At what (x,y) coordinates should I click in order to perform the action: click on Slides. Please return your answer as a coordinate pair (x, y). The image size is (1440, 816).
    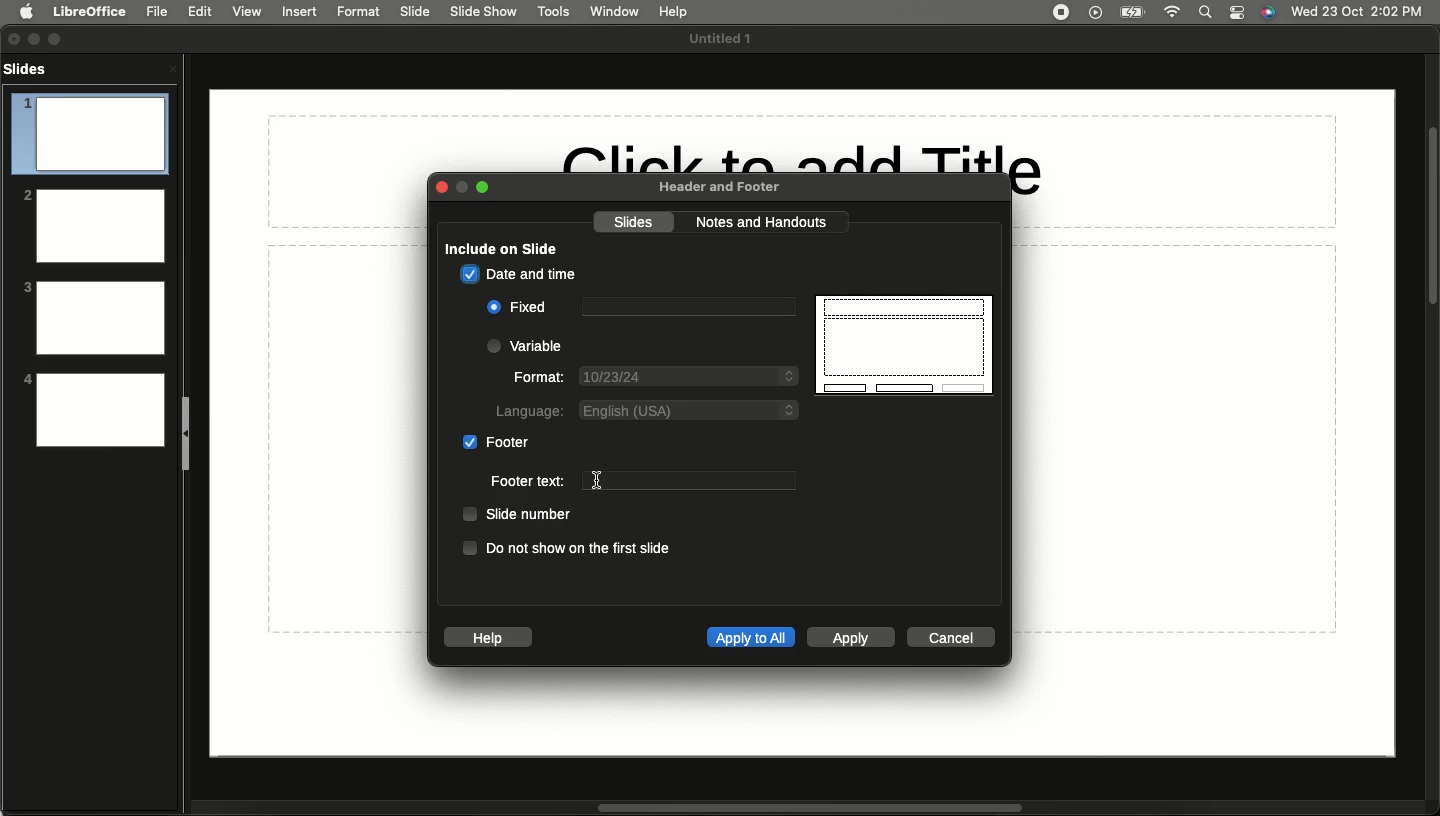
    Looking at the image, I should click on (633, 223).